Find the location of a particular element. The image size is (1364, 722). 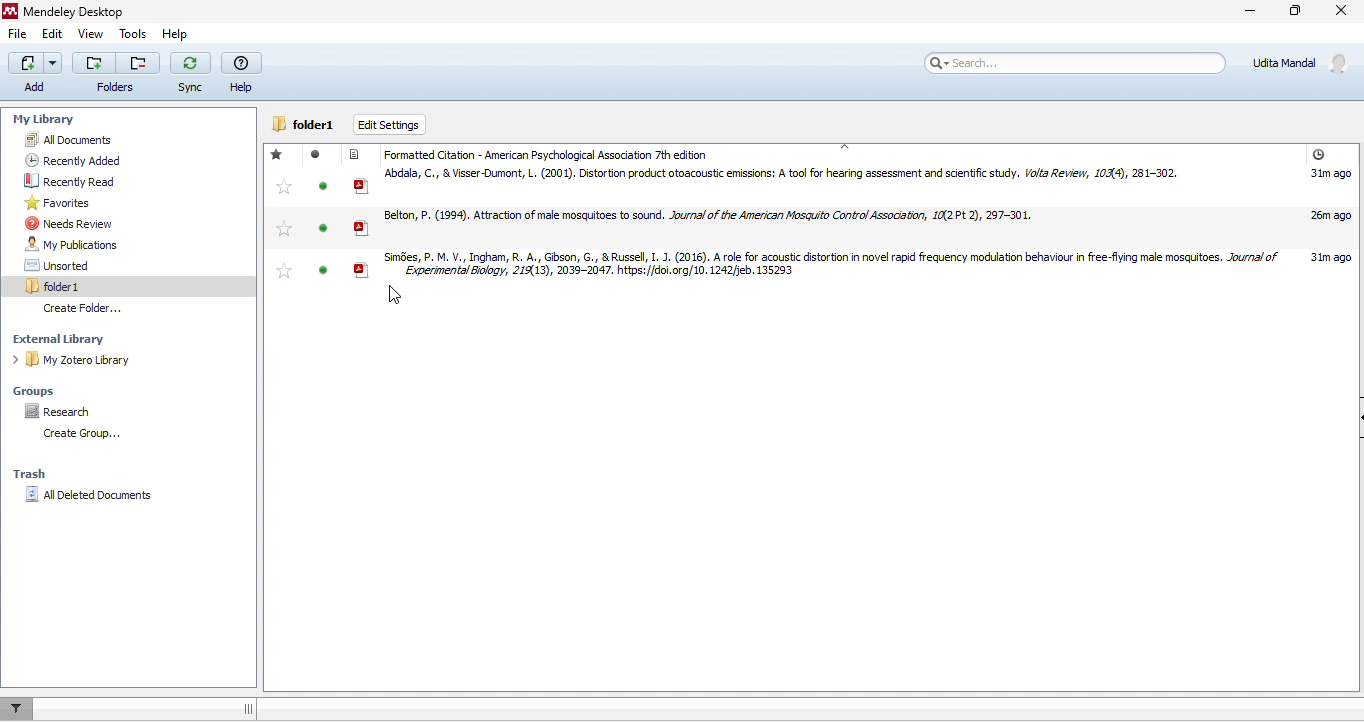

research articles is located at coordinates (852, 183).